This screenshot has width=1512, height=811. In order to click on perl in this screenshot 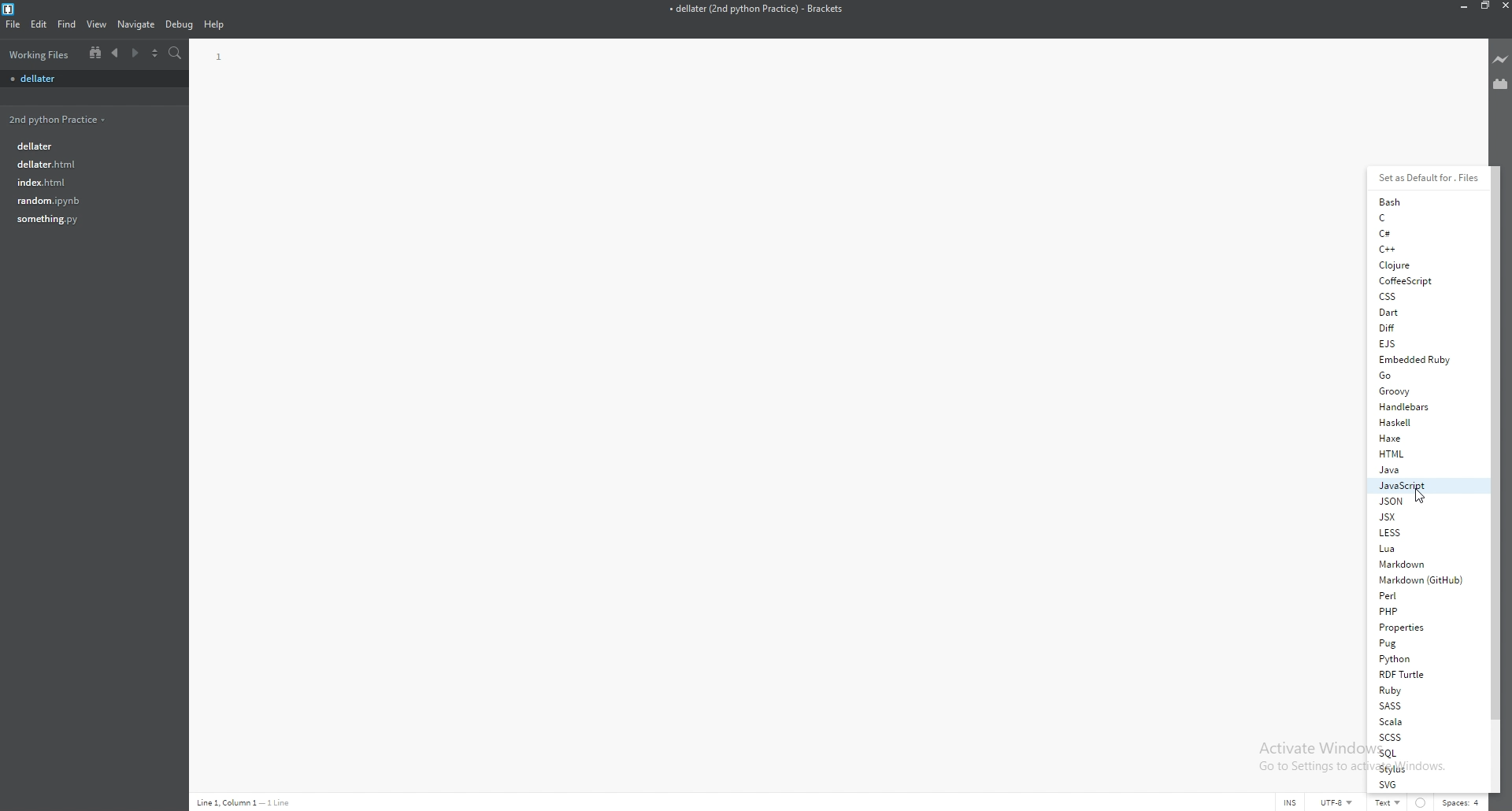, I will do `click(1424, 595)`.